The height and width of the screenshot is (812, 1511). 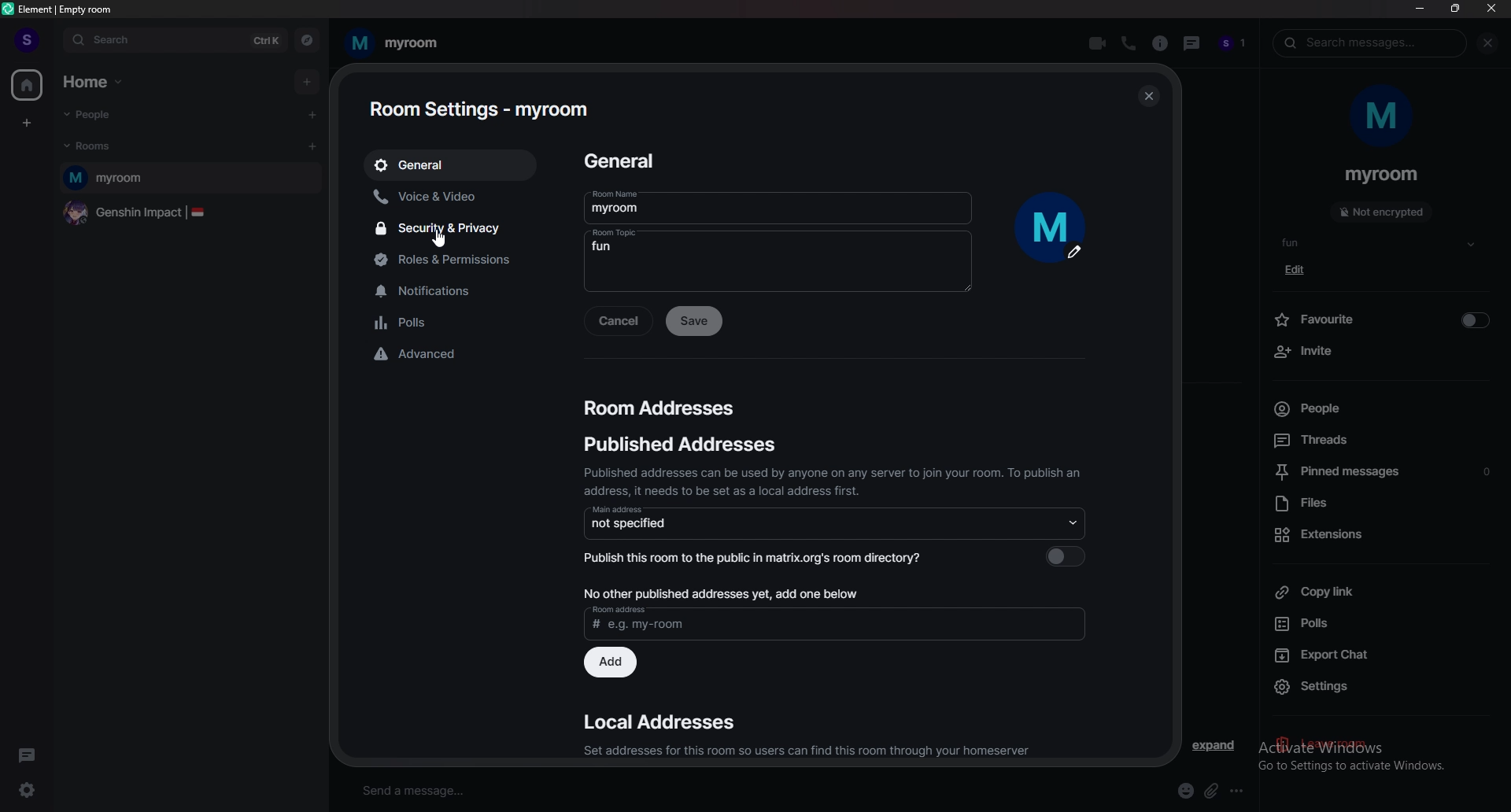 What do you see at coordinates (1377, 592) in the screenshot?
I see `copy link` at bounding box center [1377, 592].